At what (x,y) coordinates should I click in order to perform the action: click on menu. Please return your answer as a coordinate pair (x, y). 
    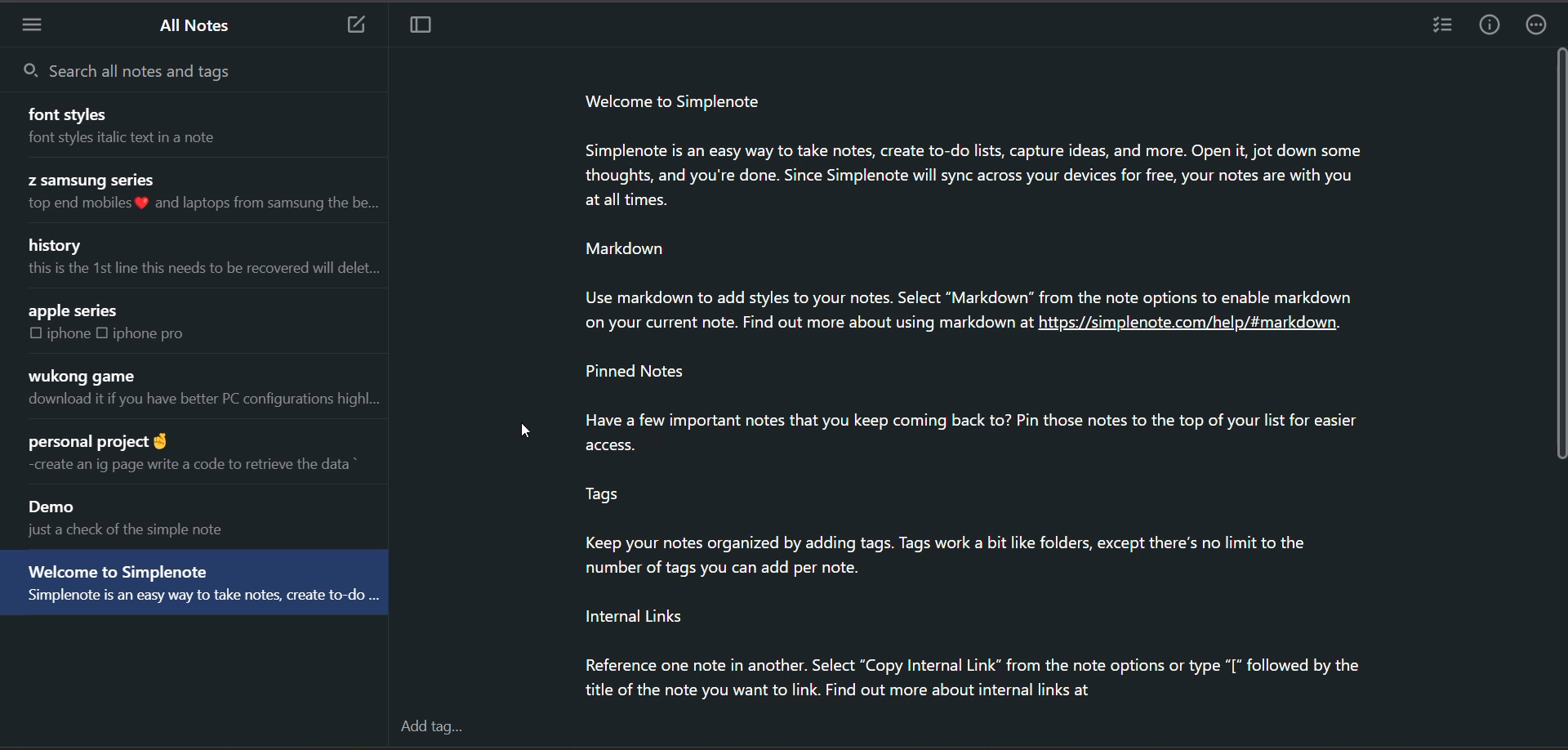
    Looking at the image, I should click on (43, 25).